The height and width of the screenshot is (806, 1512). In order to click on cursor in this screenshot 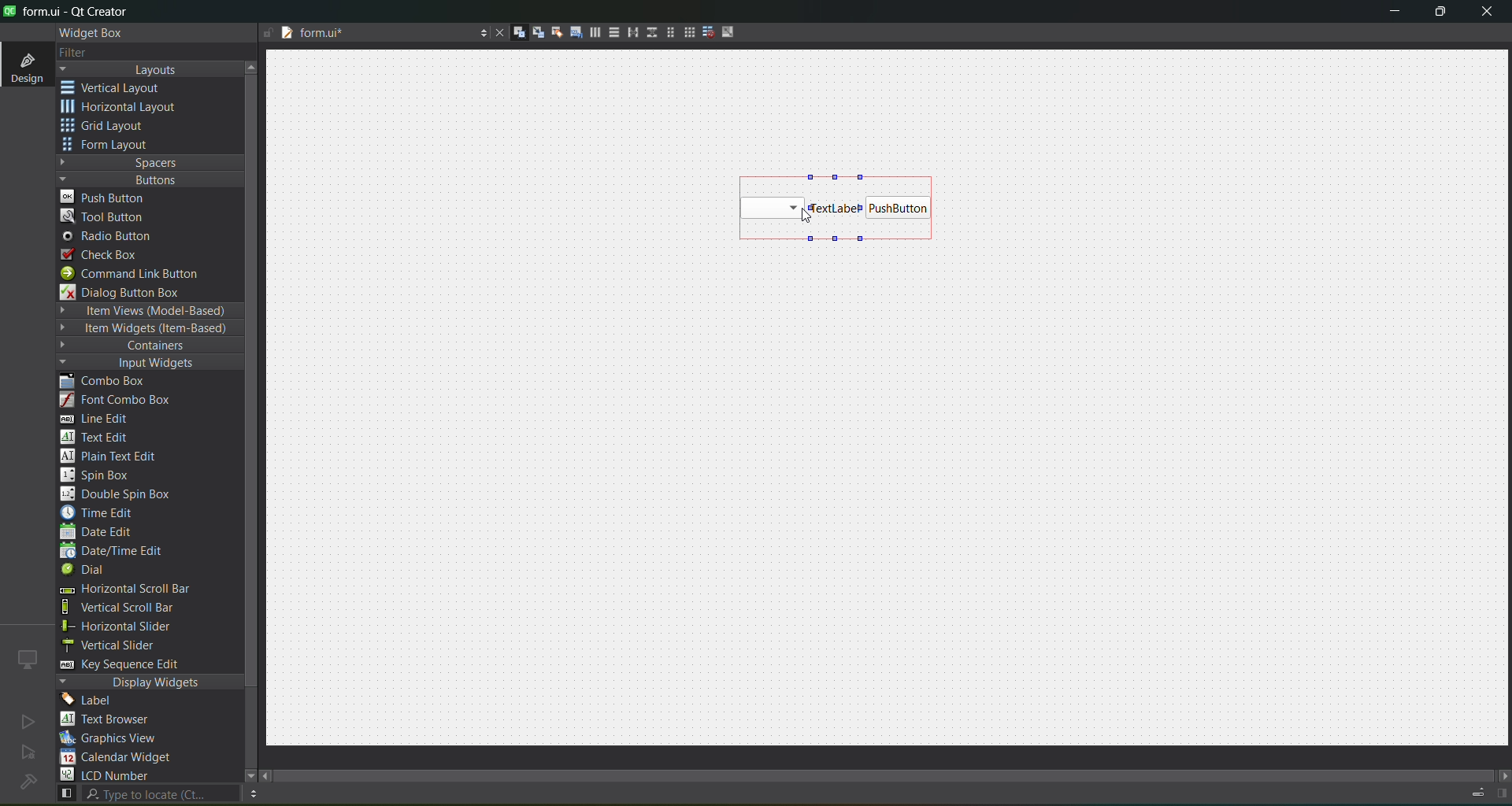, I will do `click(806, 213)`.